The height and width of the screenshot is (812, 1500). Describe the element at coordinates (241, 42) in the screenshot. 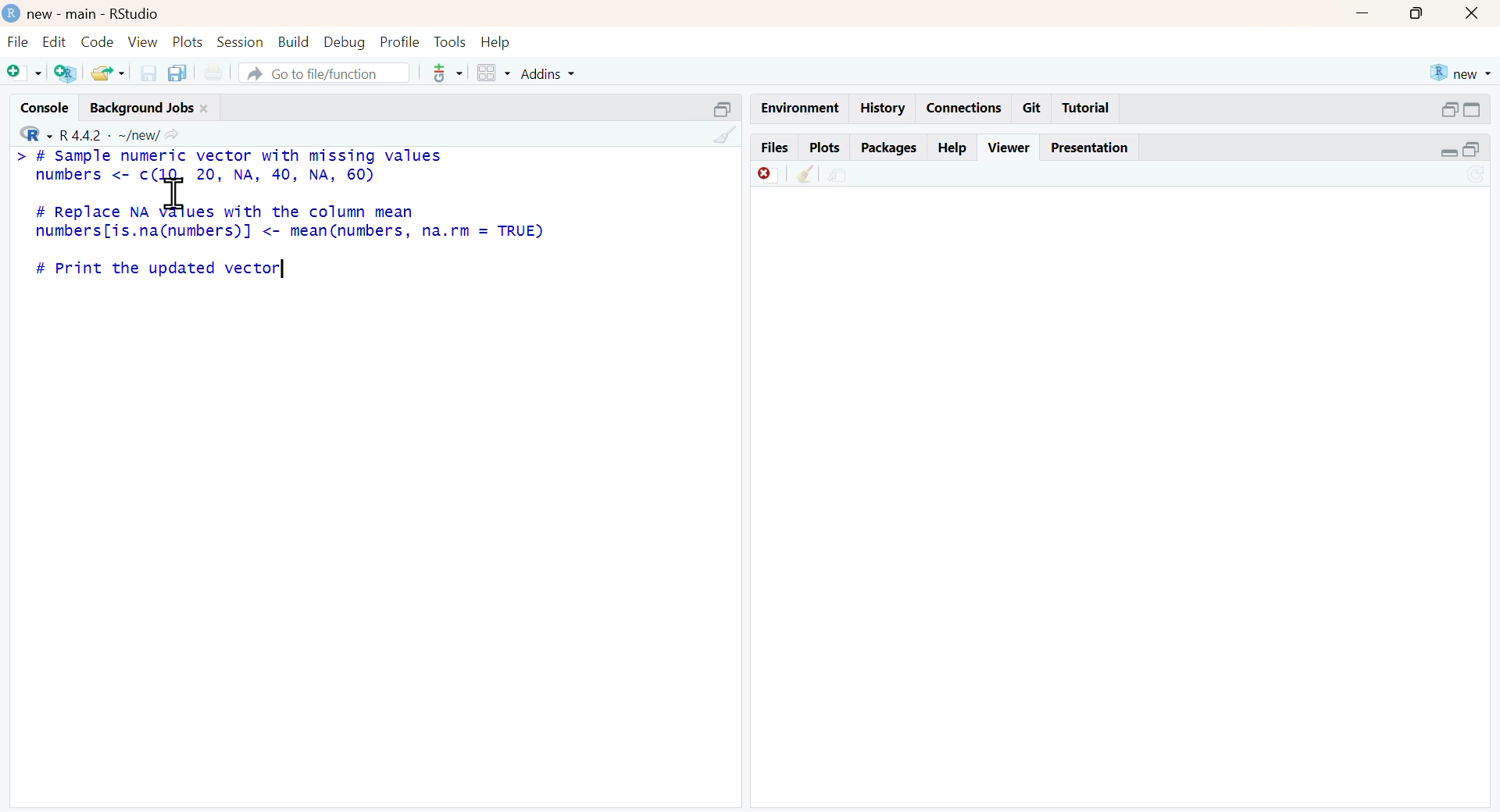

I see `session` at that location.